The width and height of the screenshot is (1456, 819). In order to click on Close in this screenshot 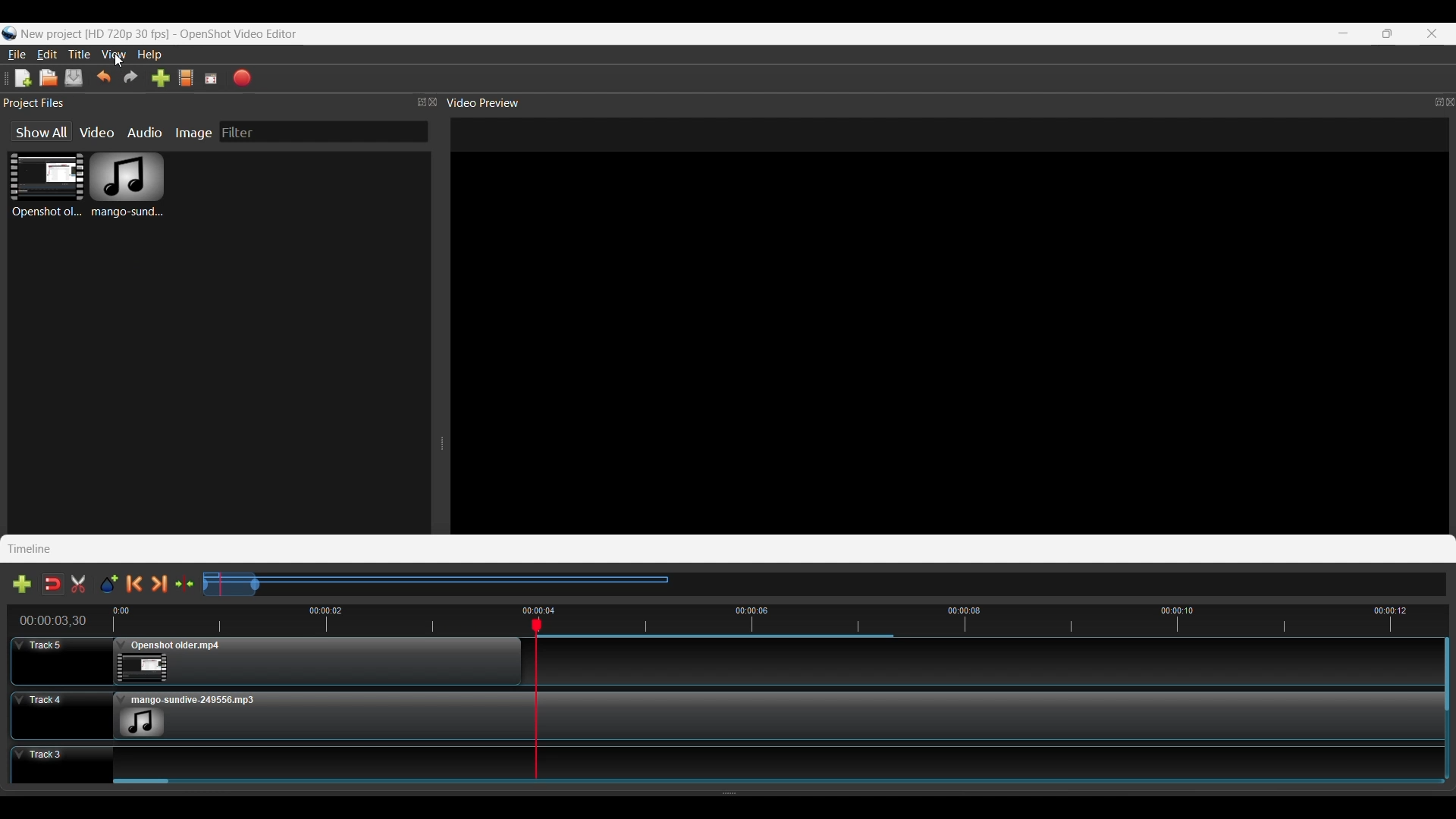, I will do `click(1432, 33)`.